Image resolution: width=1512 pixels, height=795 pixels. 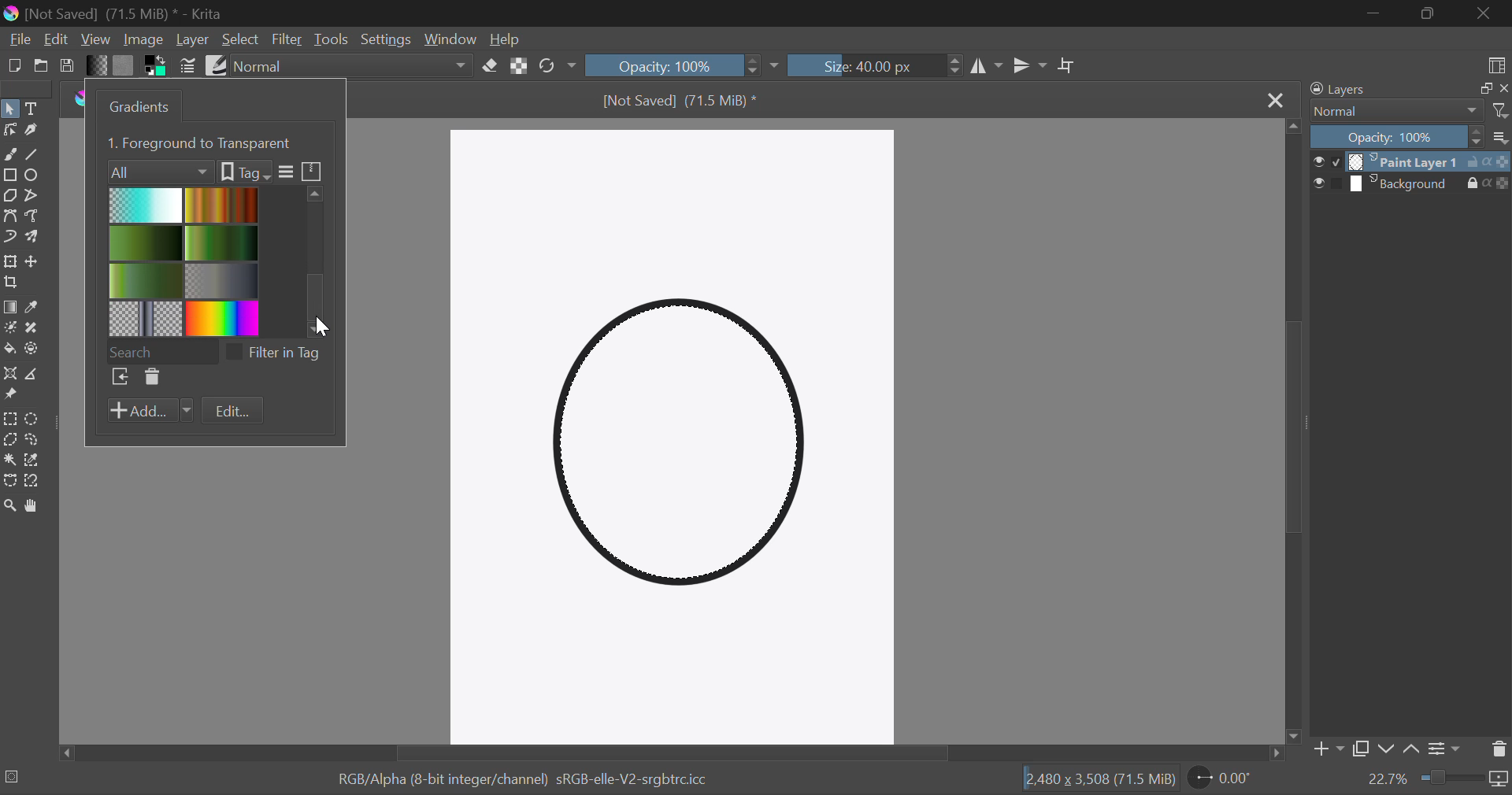 I want to click on Reference Images, so click(x=10, y=396).